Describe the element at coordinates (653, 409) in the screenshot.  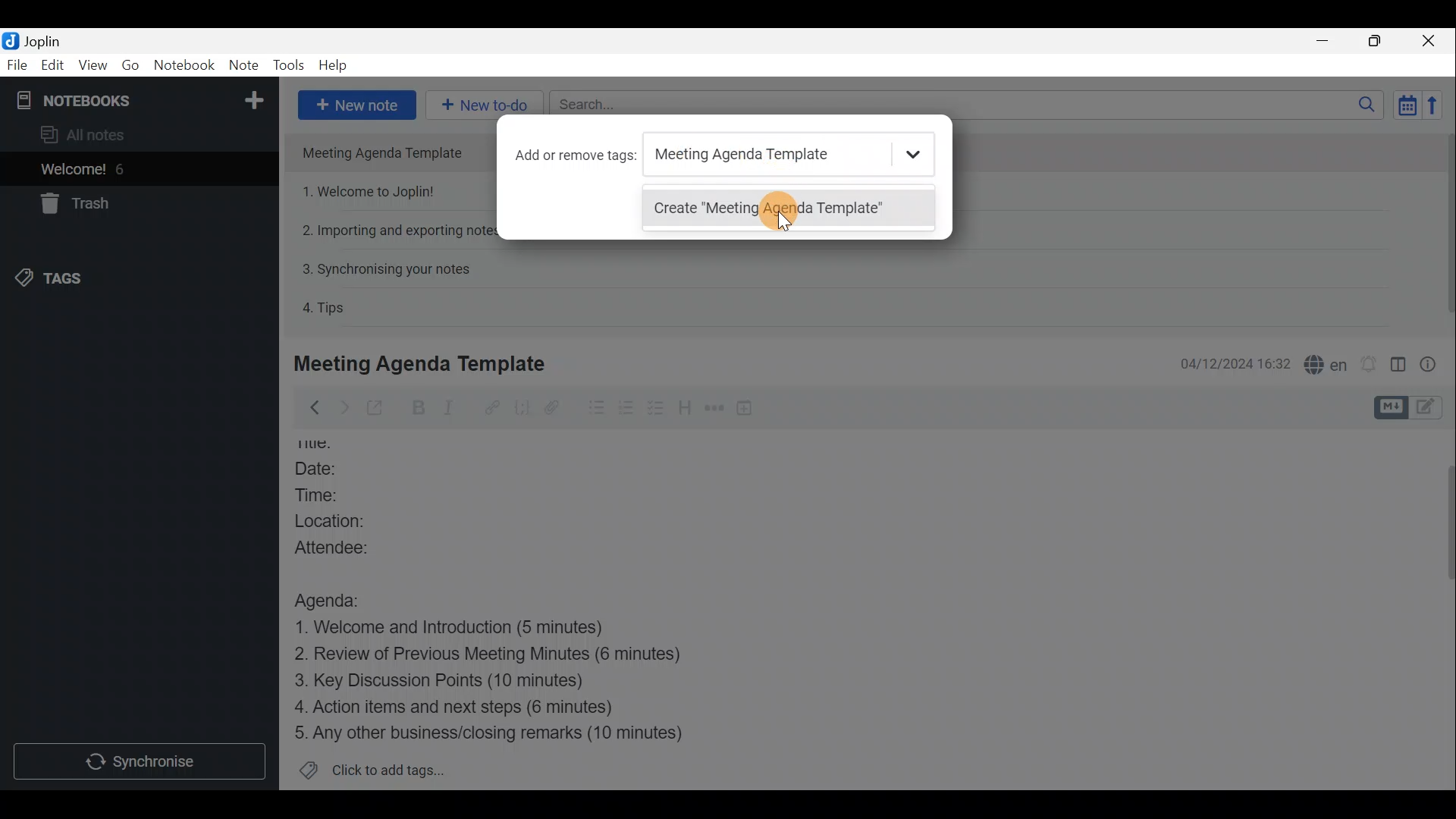
I see `Checkbox` at that location.